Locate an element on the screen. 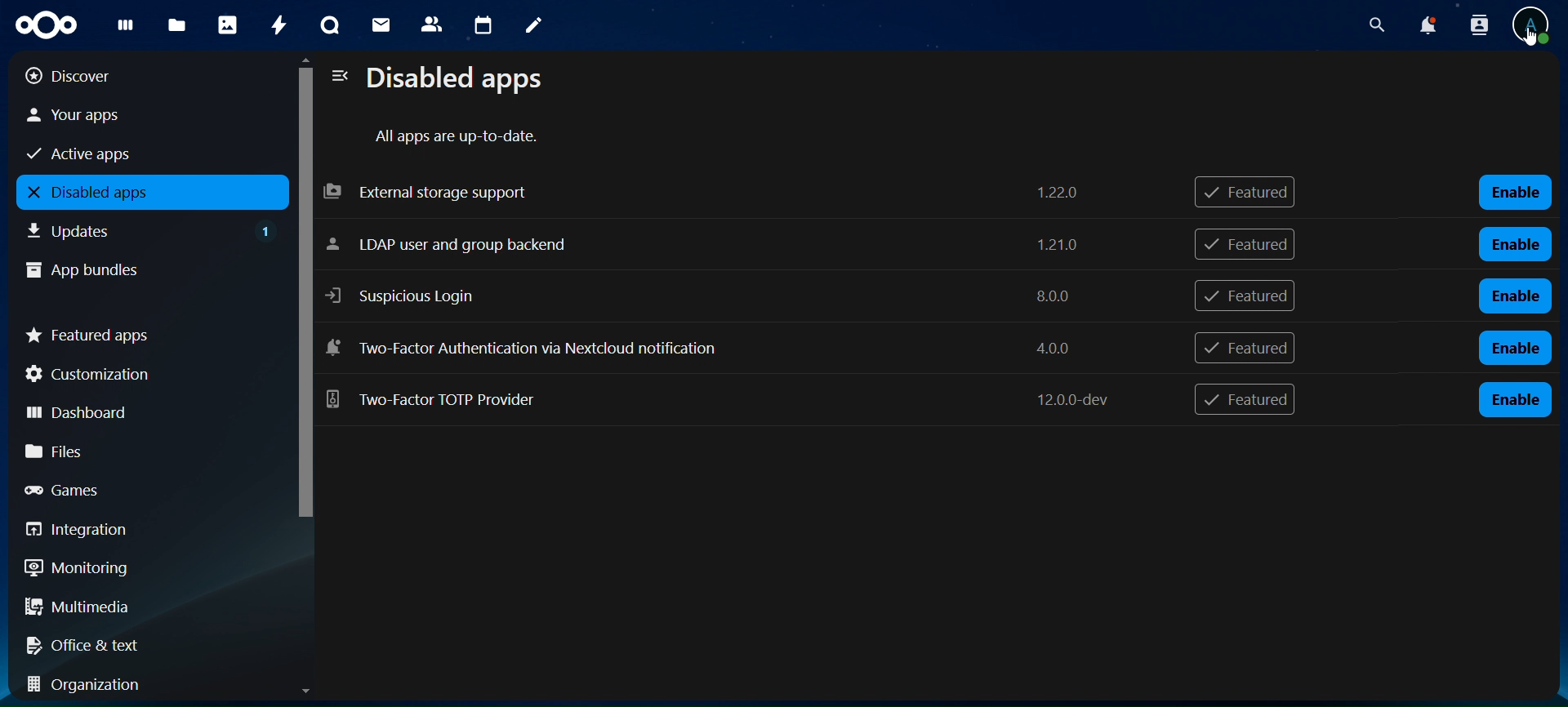 The width and height of the screenshot is (1568, 707). two factor TOTP provider is located at coordinates (725, 401).